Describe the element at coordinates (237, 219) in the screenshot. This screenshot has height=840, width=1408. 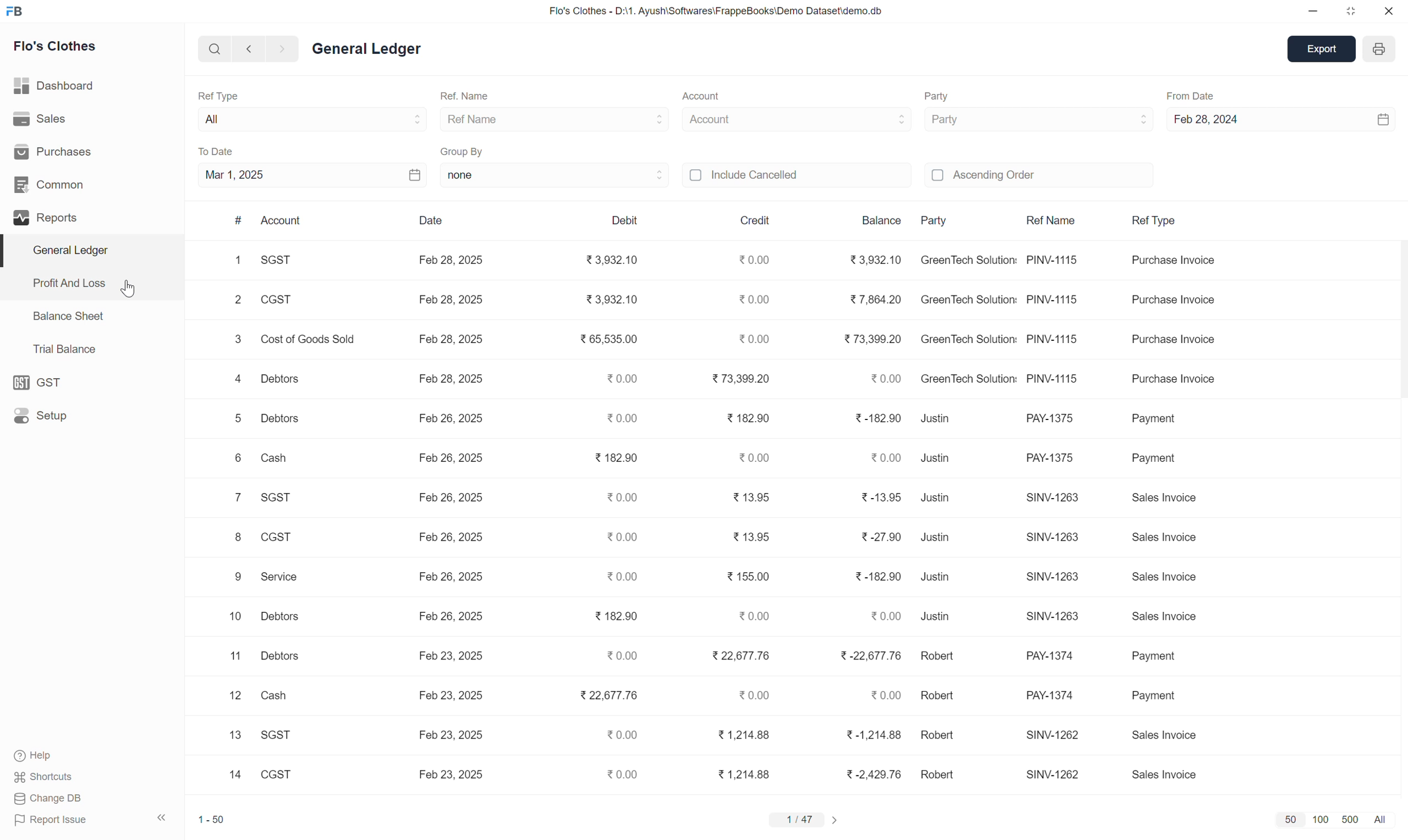
I see `#` at that location.